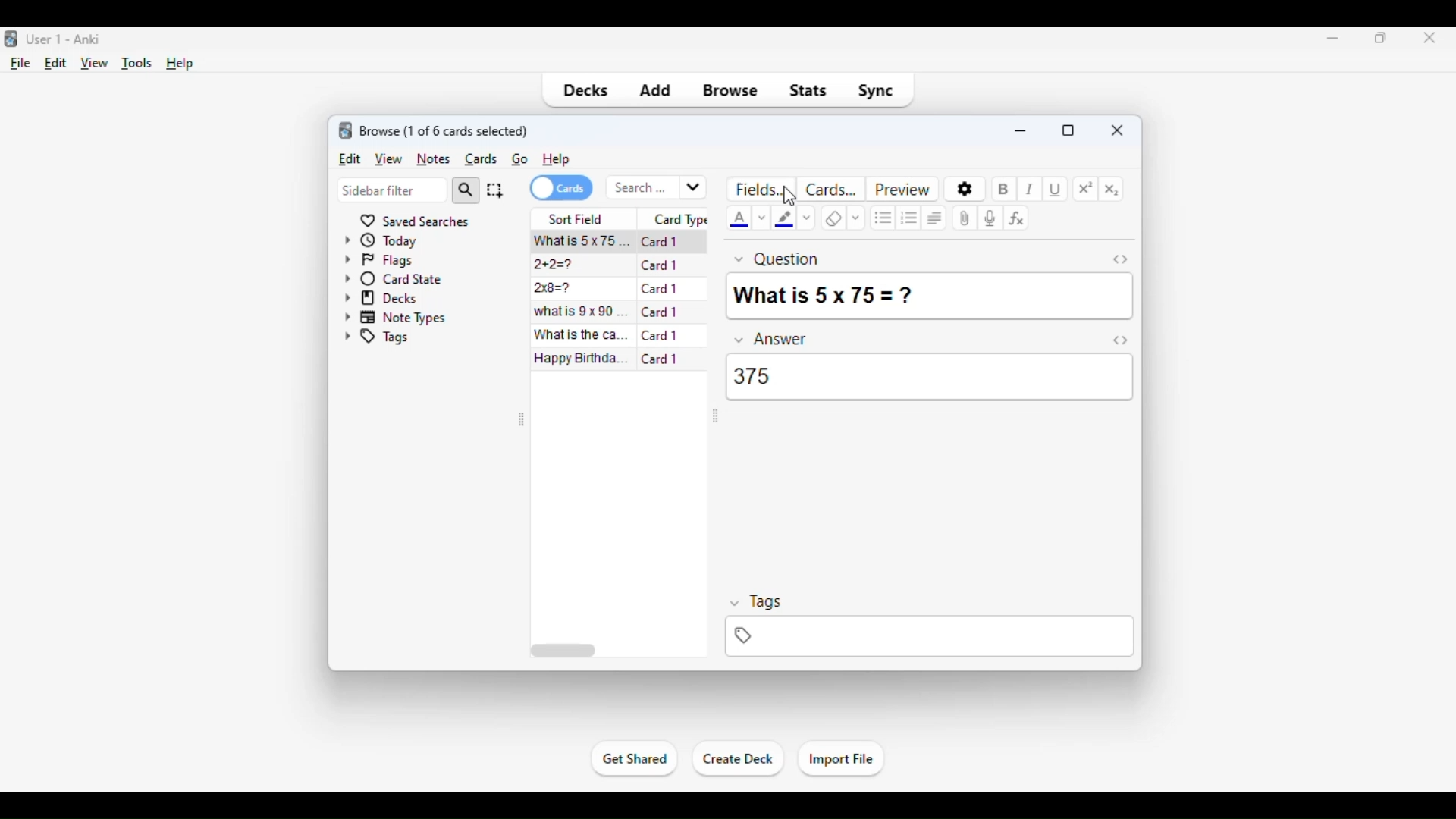 The height and width of the screenshot is (819, 1456). What do you see at coordinates (741, 219) in the screenshot?
I see `text color` at bounding box center [741, 219].